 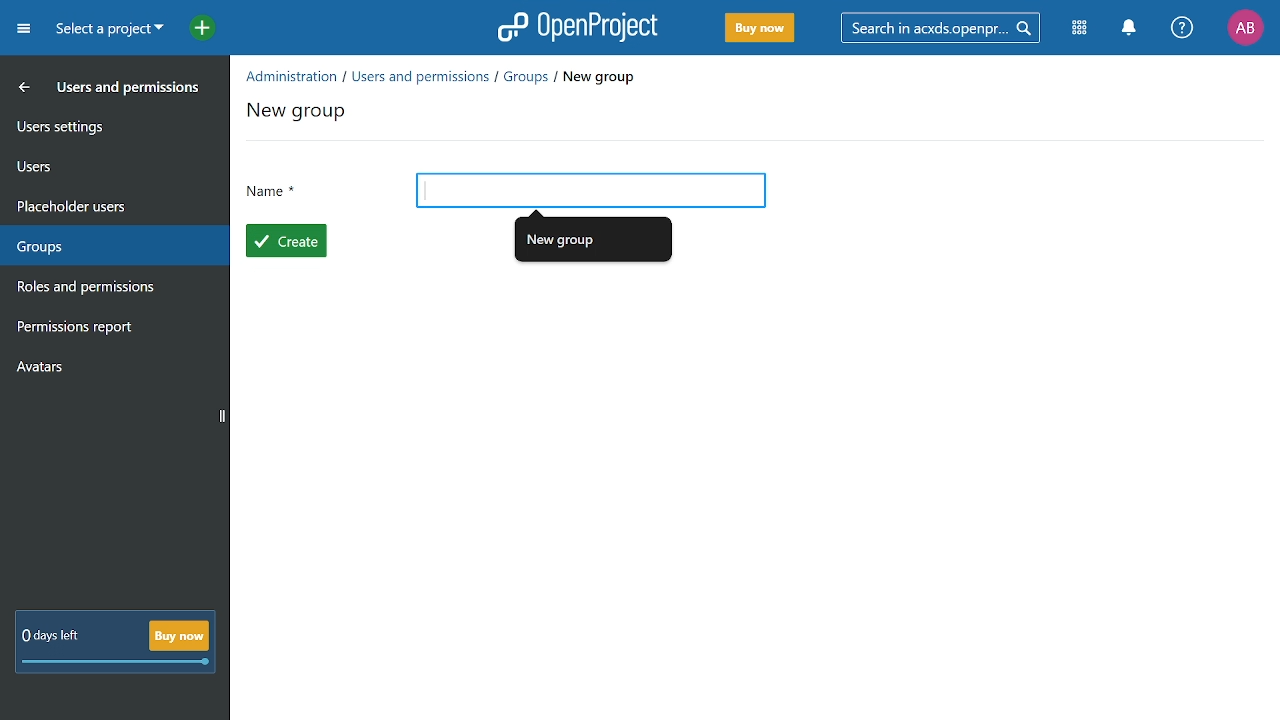 I want to click on Path to current location "Administration/Users and permissions/Groups/New group", so click(x=442, y=77).